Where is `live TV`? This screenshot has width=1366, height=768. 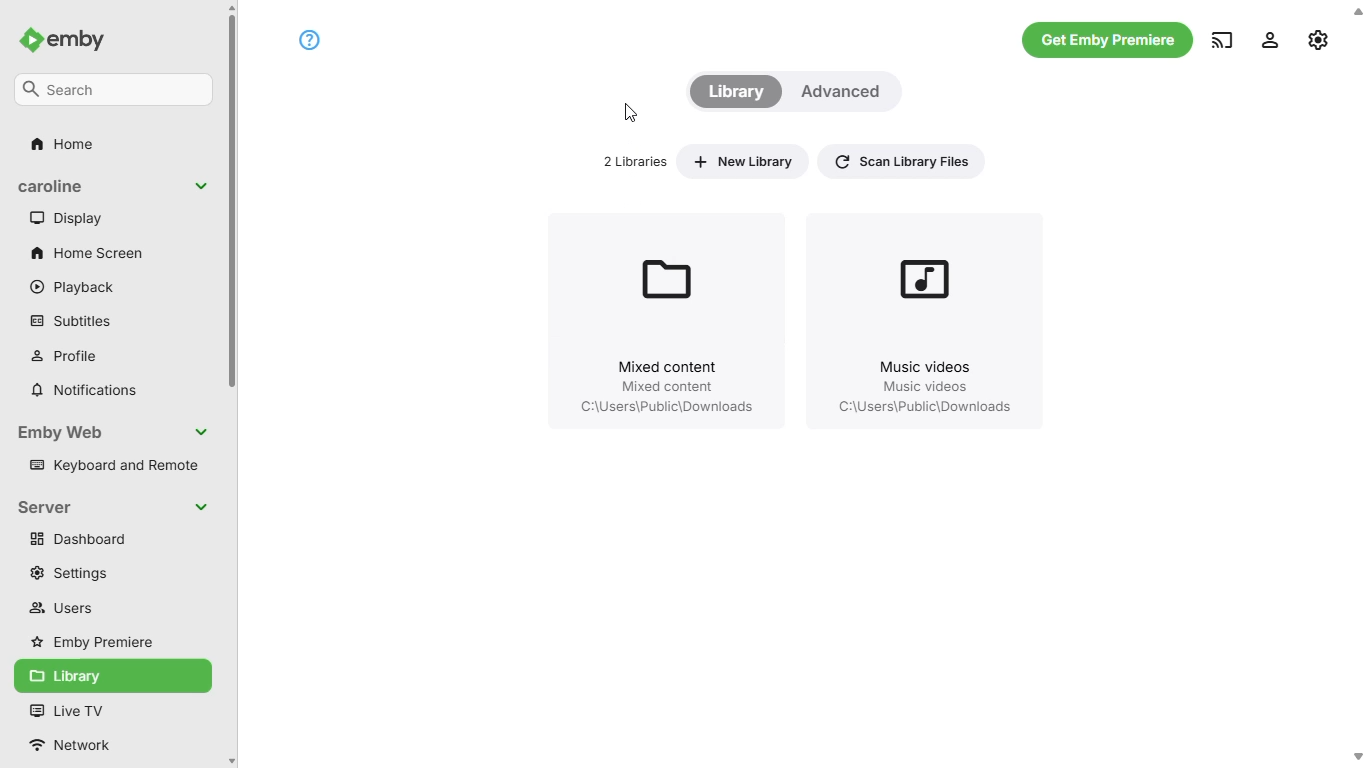 live TV is located at coordinates (68, 710).